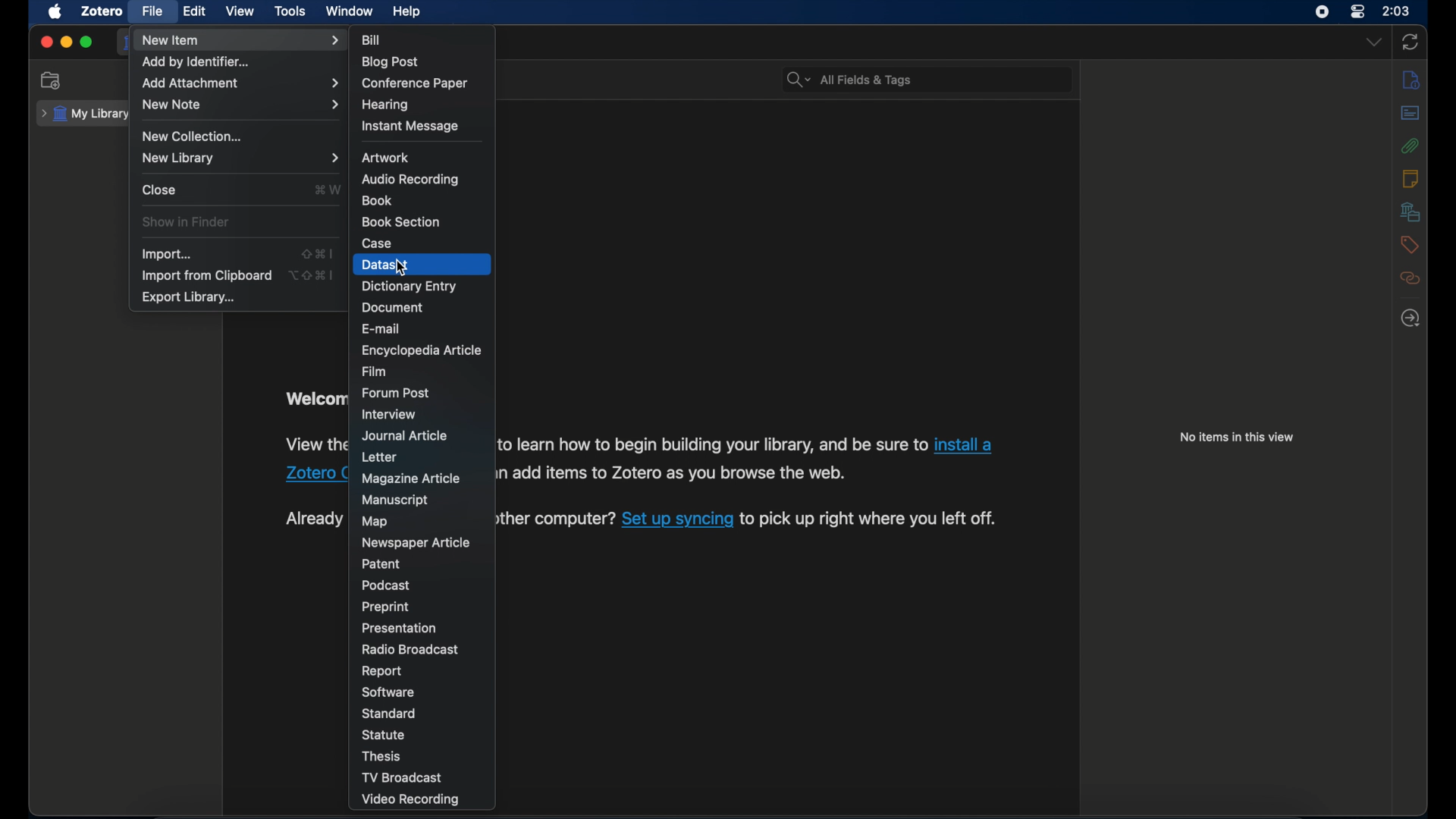 The width and height of the screenshot is (1456, 819). I want to click on view, so click(242, 11).